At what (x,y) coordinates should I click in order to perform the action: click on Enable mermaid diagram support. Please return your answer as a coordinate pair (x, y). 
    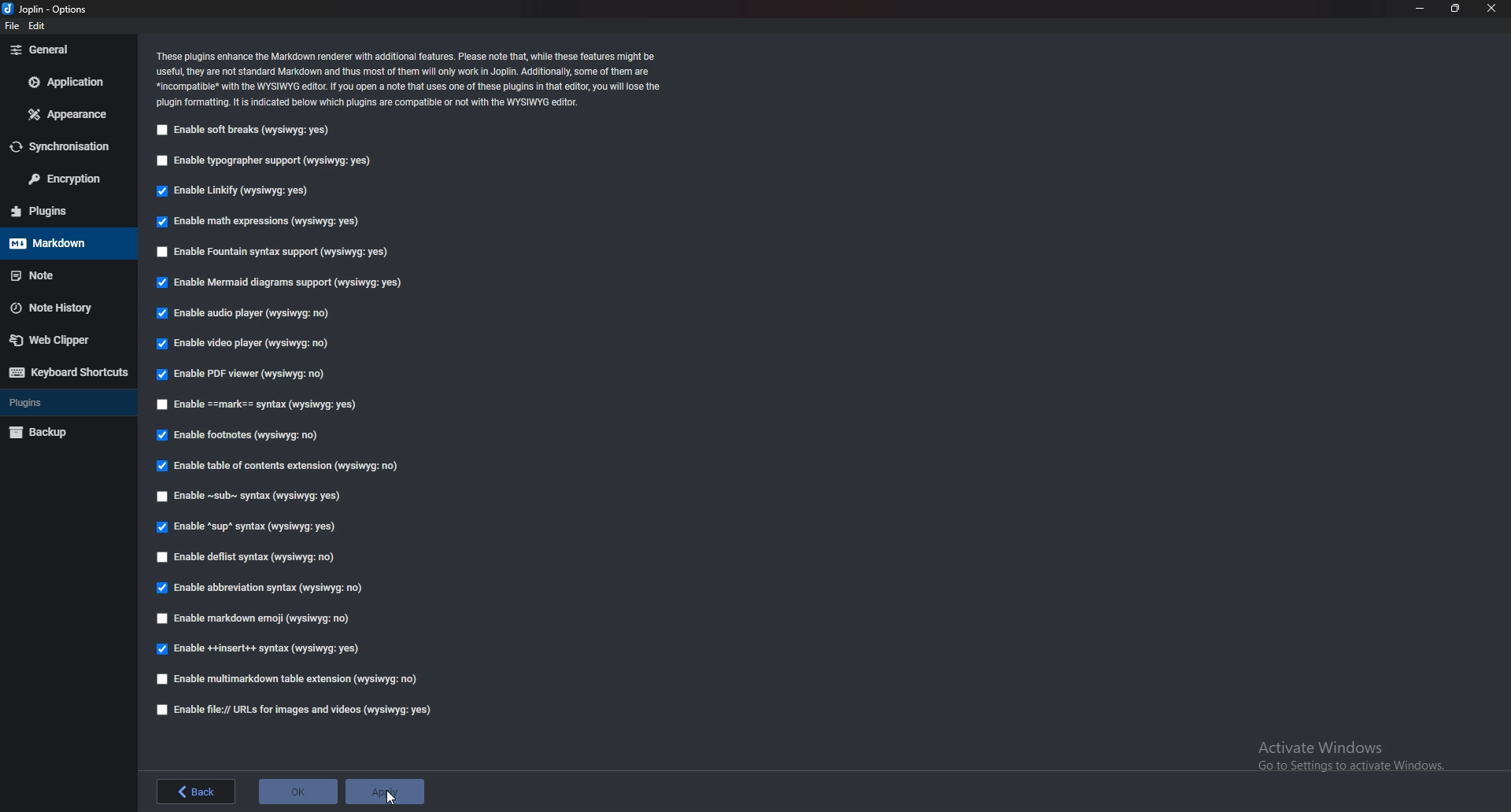
    Looking at the image, I should click on (279, 282).